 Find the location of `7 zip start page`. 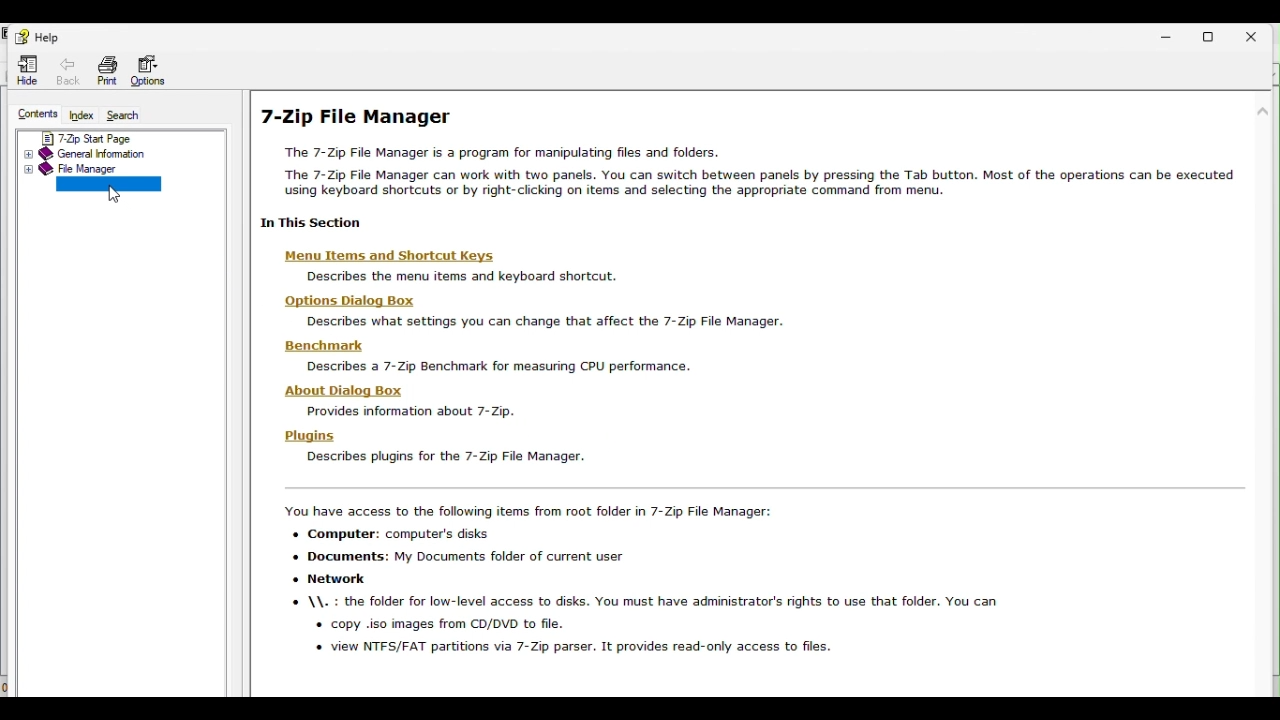

7 zip start page is located at coordinates (123, 137).